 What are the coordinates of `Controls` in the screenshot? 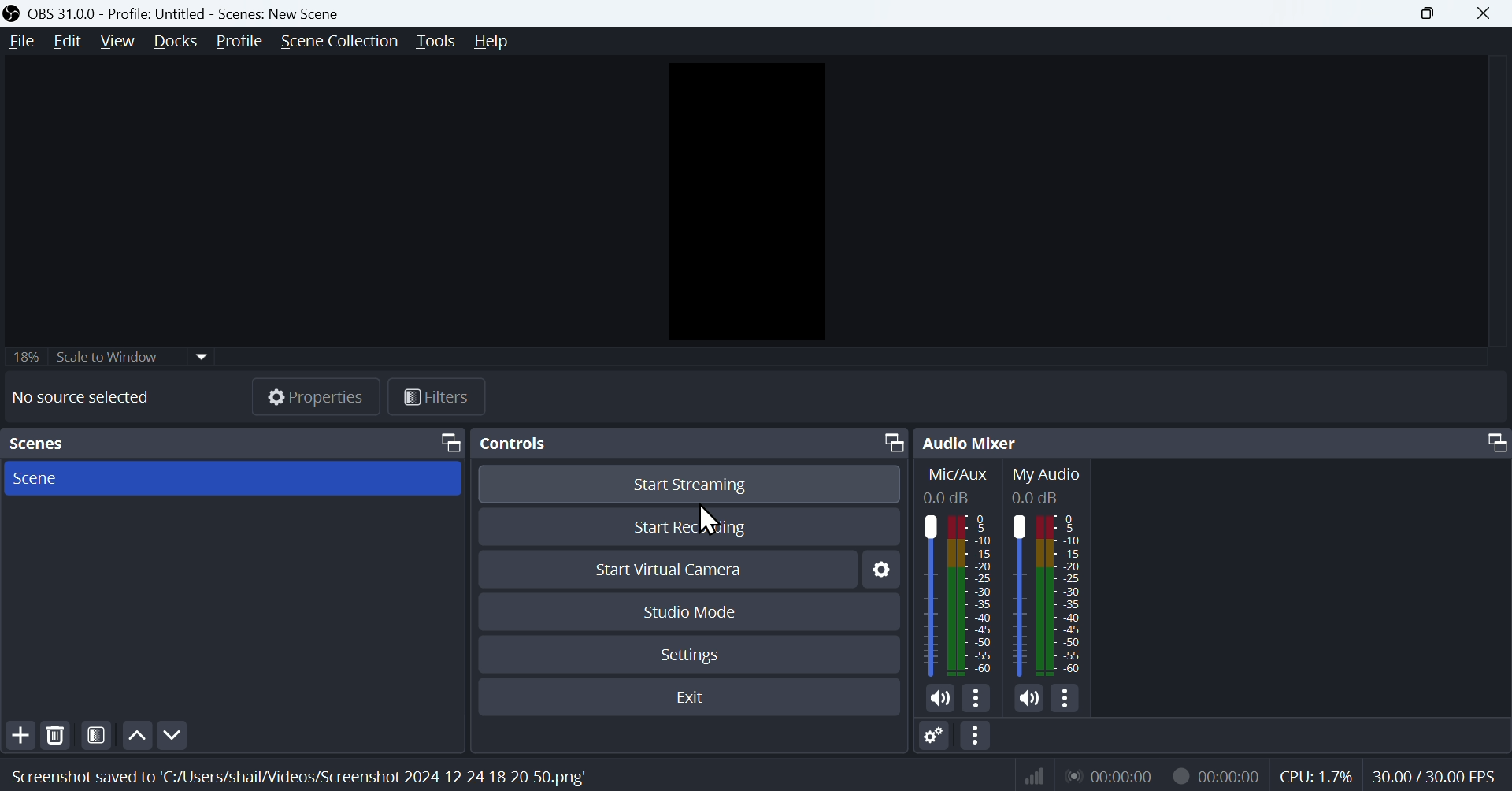 It's located at (534, 444).